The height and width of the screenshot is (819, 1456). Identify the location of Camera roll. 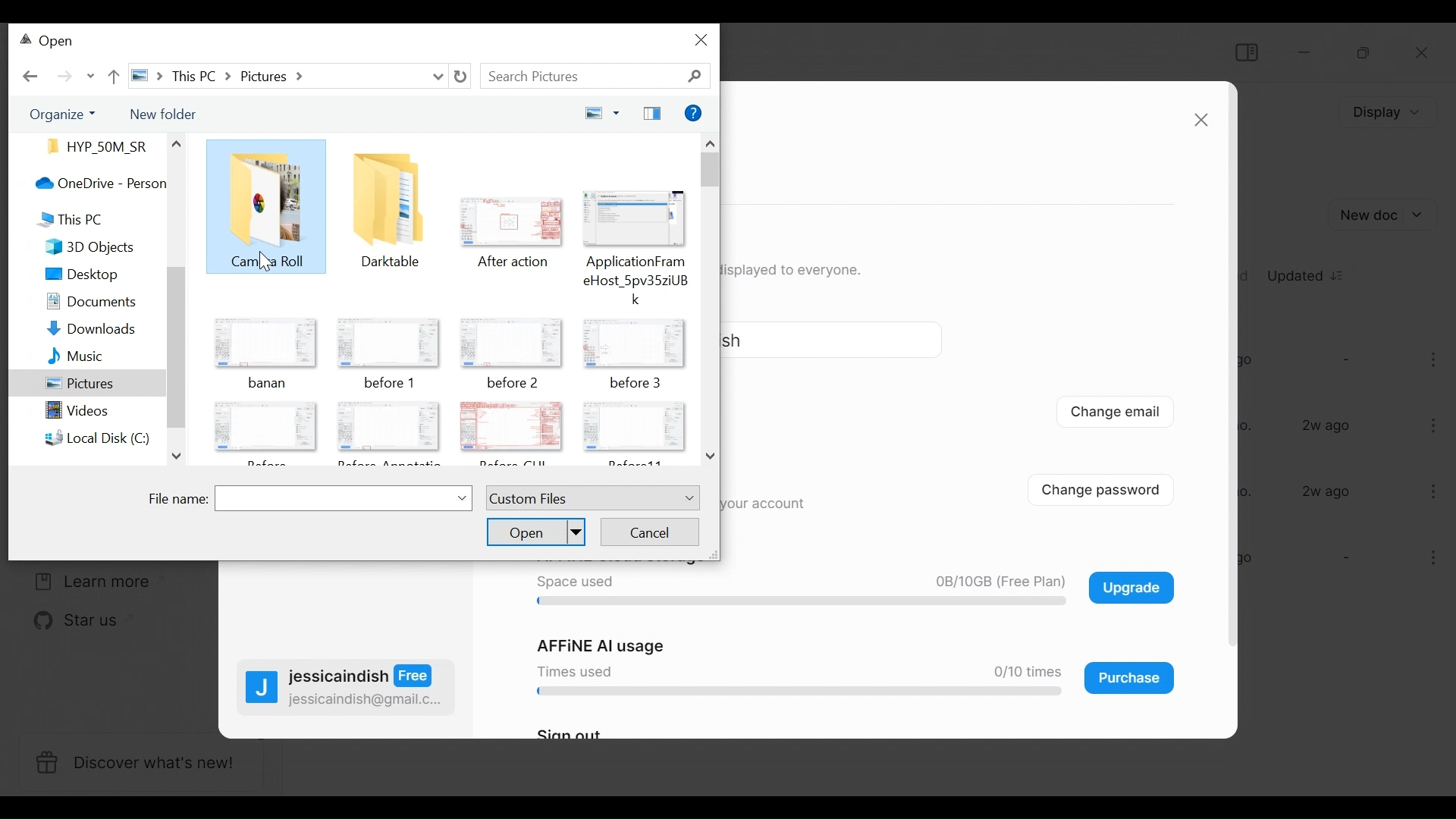
(275, 262).